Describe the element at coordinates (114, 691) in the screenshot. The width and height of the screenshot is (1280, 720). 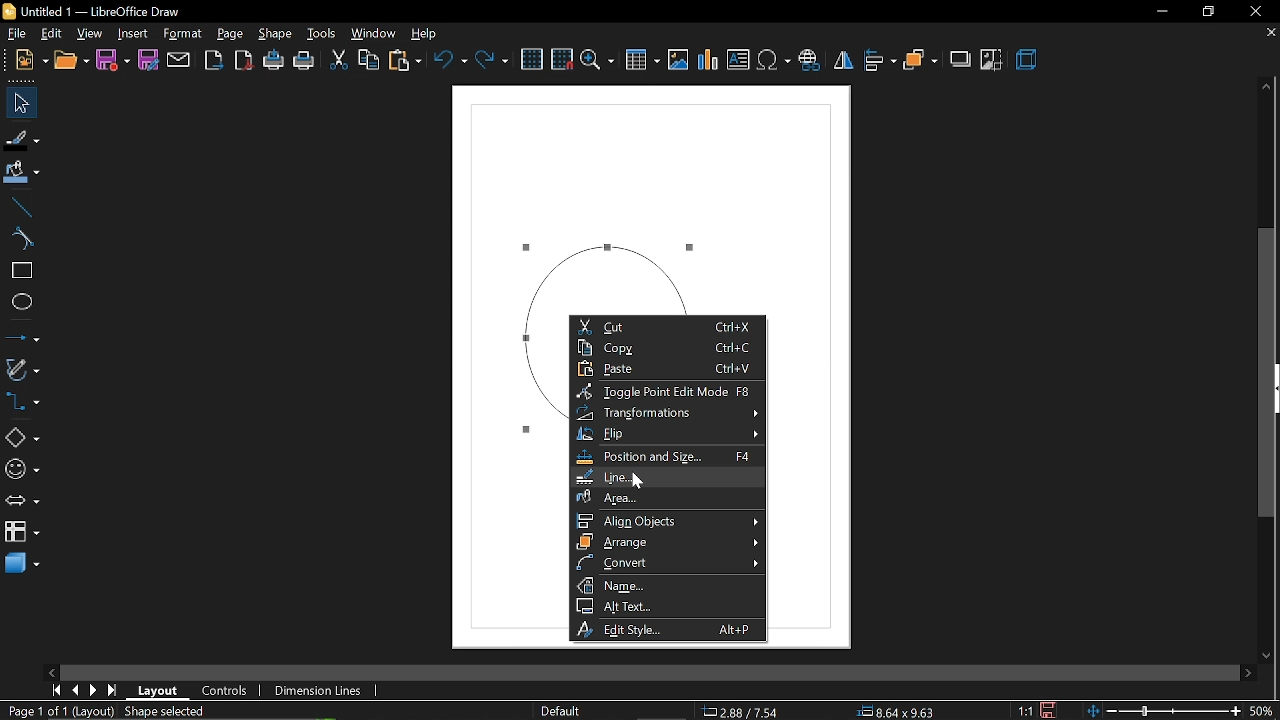
I see `go to last page` at that location.